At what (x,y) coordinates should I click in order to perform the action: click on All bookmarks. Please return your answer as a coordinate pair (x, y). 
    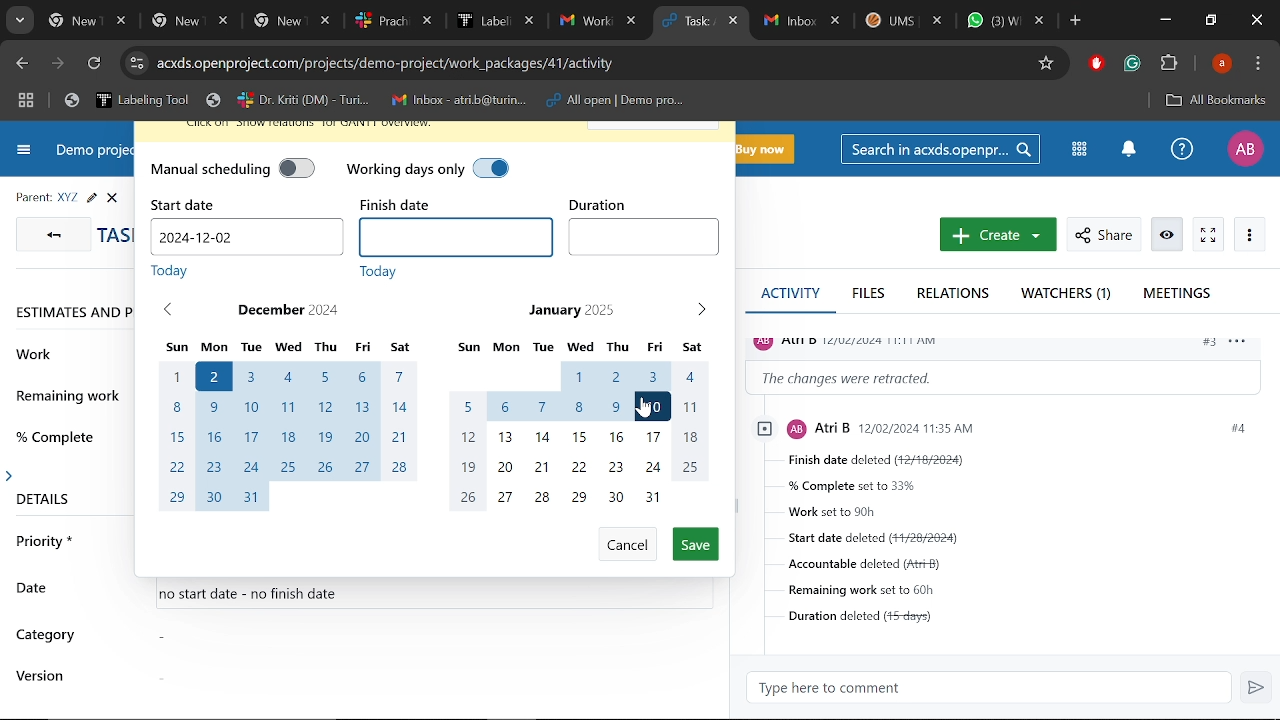
    Looking at the image, I should click on (1215, 101).